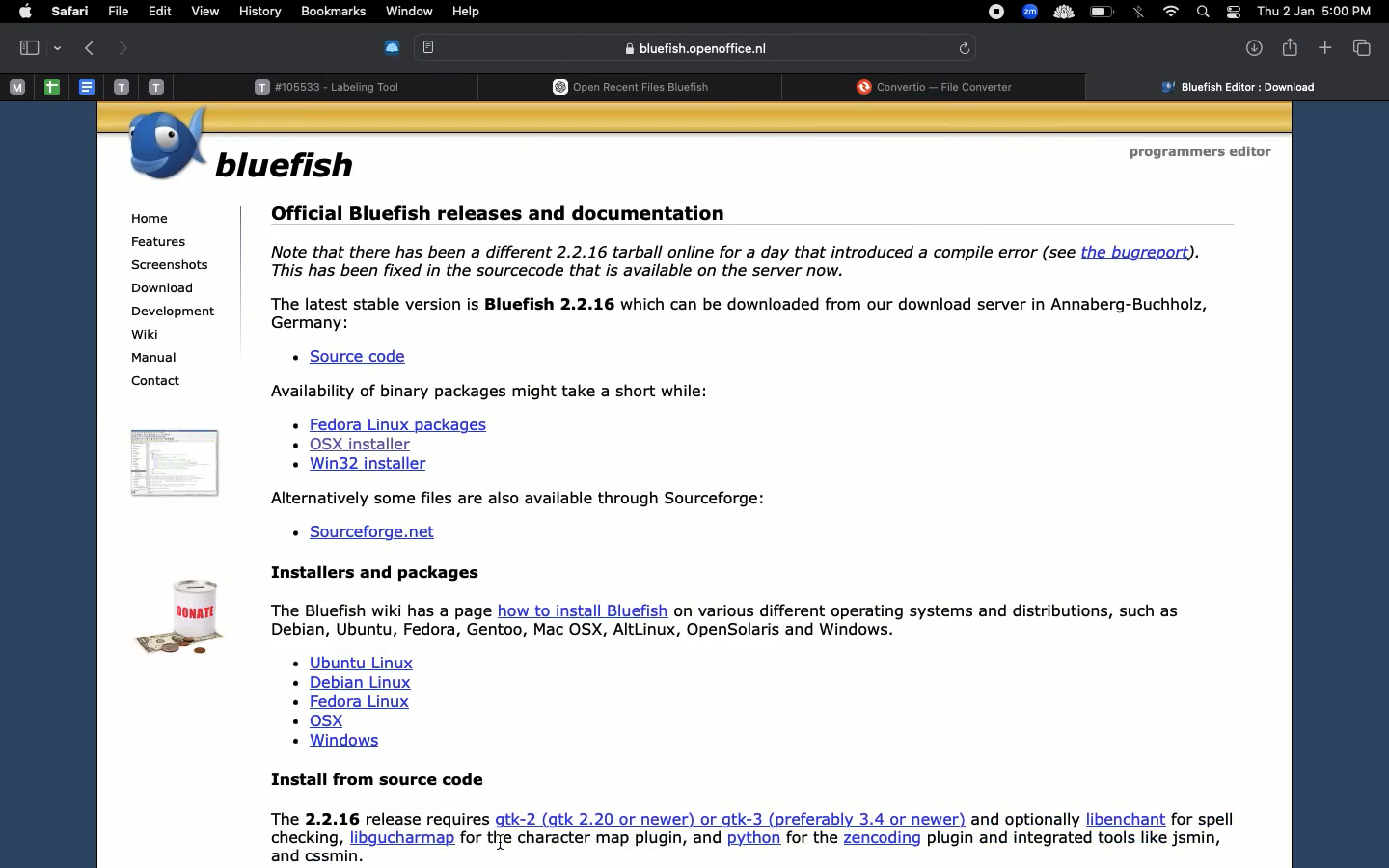 This screenshot has width=1389, height=868. I want to click on source code, so click(347, 357).